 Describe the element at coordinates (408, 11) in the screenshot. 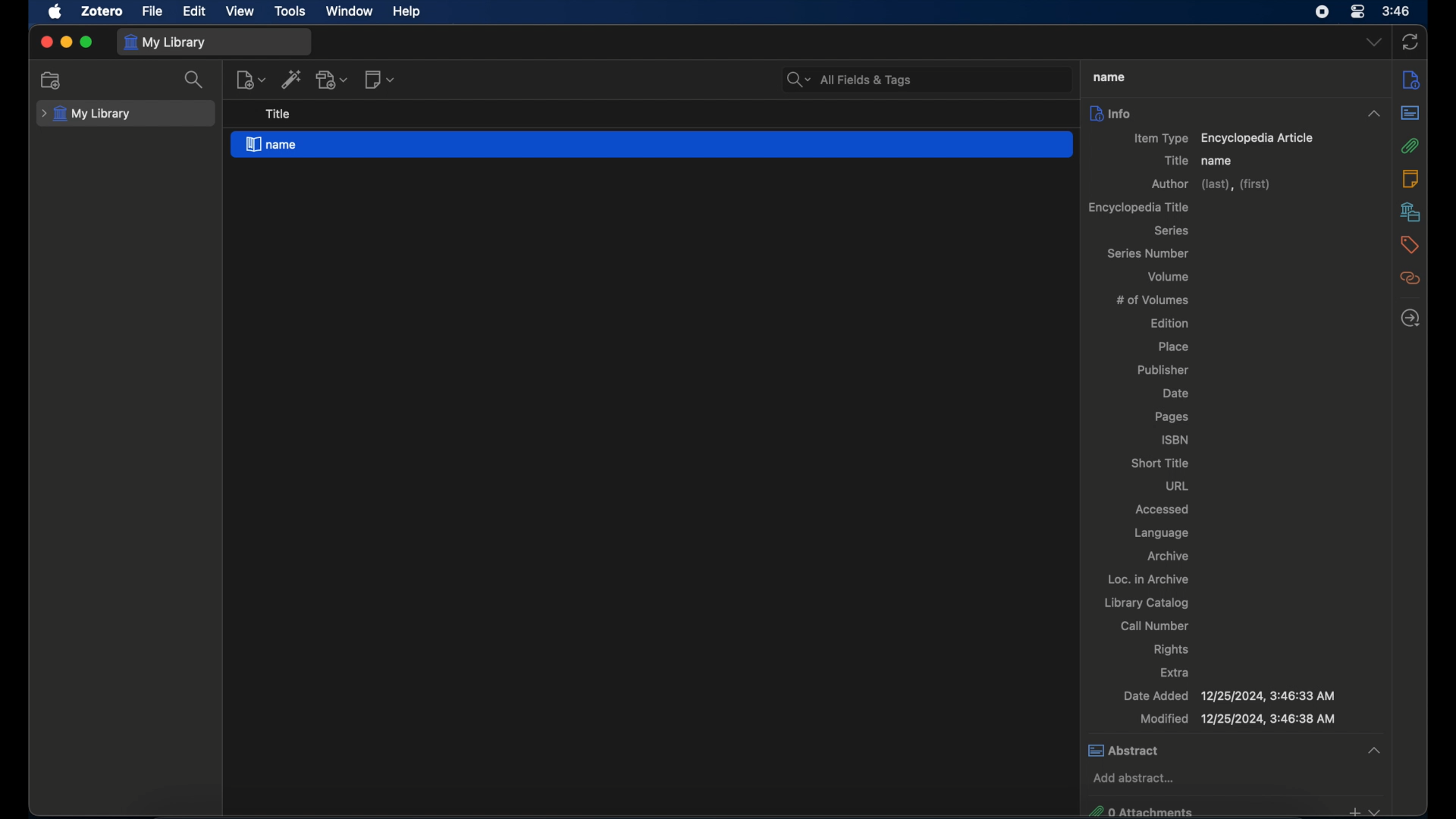

I see `help` at that location.